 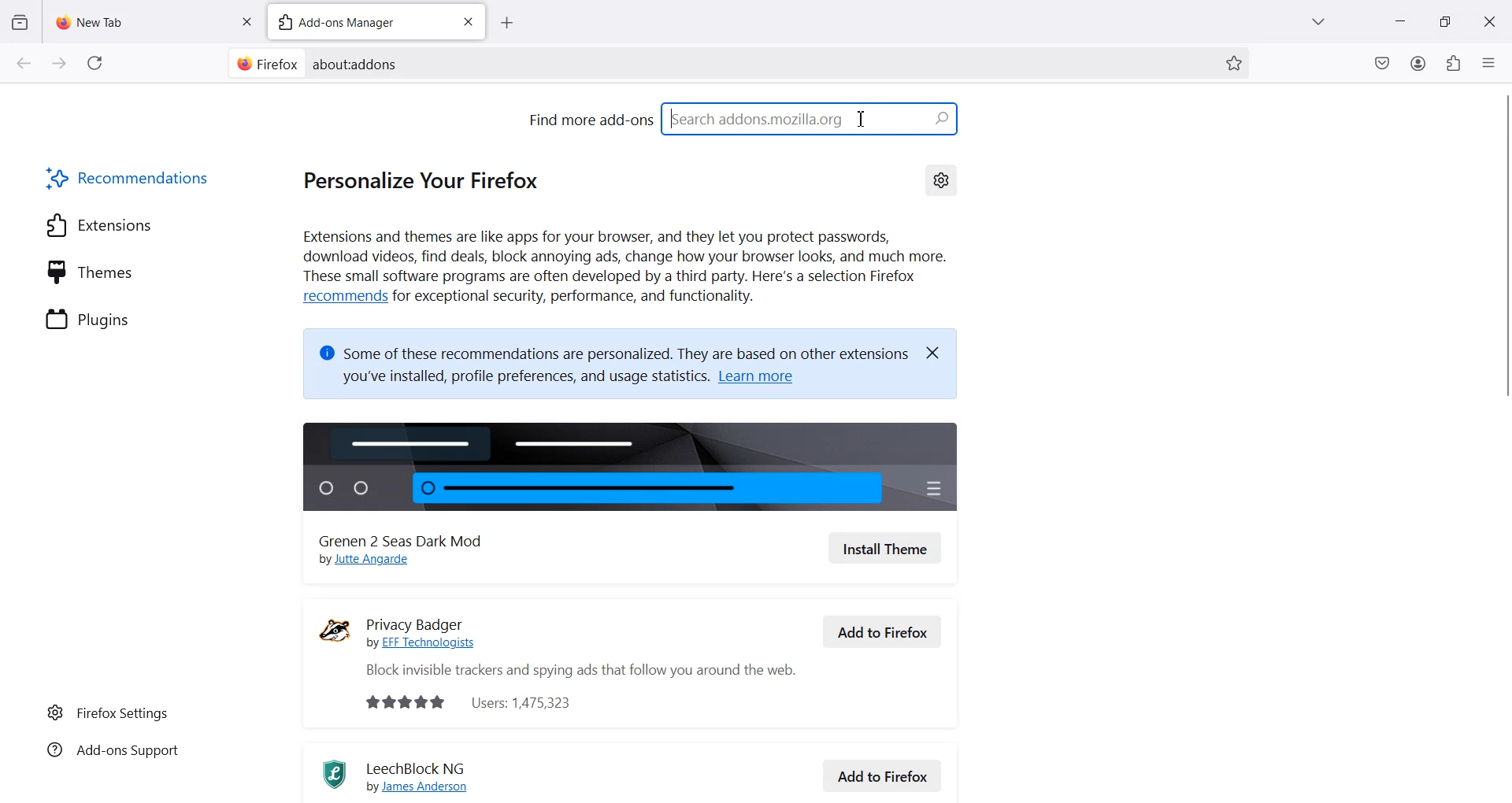 I want to click on Grenen 2 Seas Dark Mod, so click(x=410, y=538).